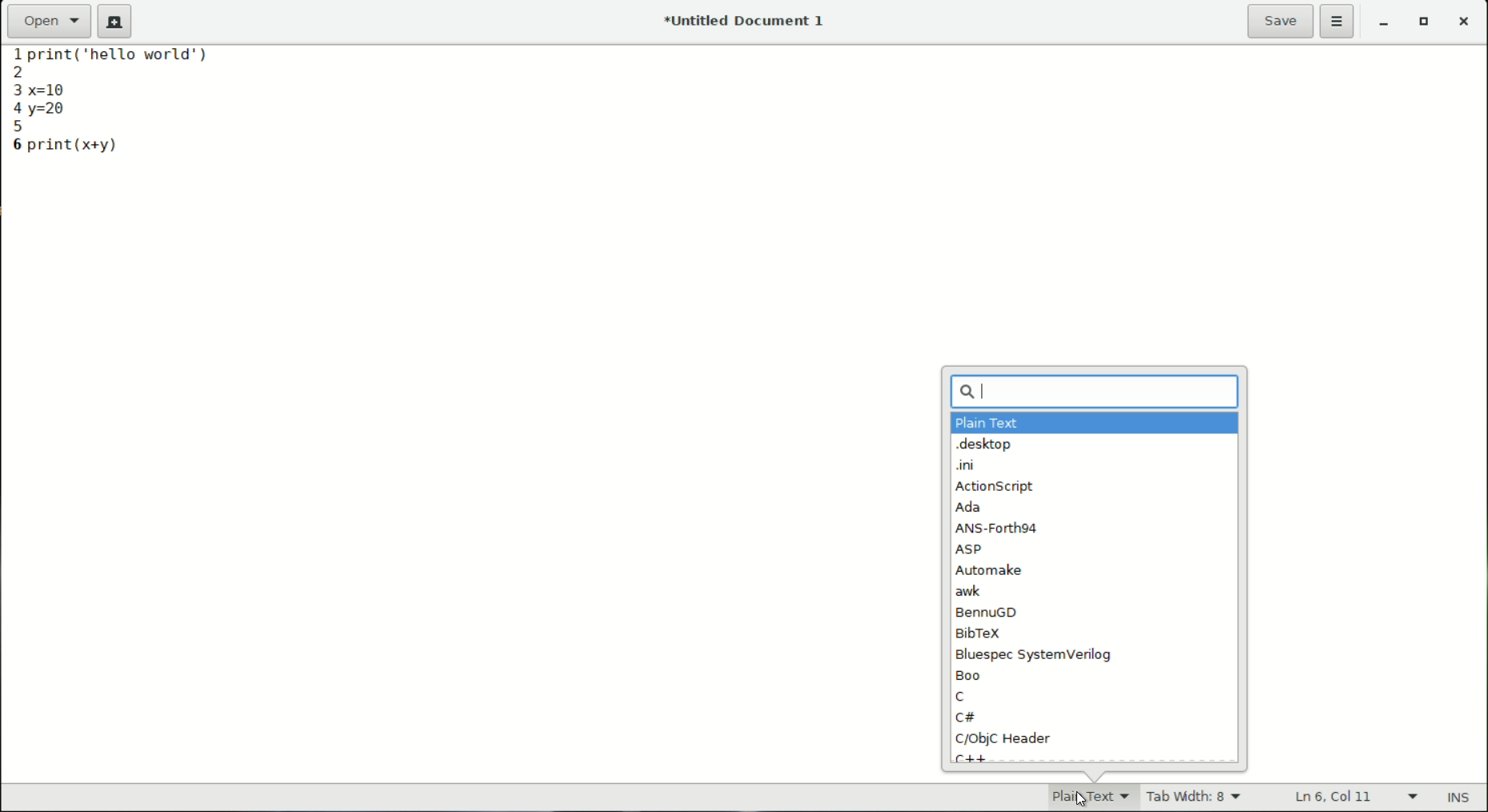 This screenshot has height=812, width=1488. I want to click on file name, so click(748, 20).